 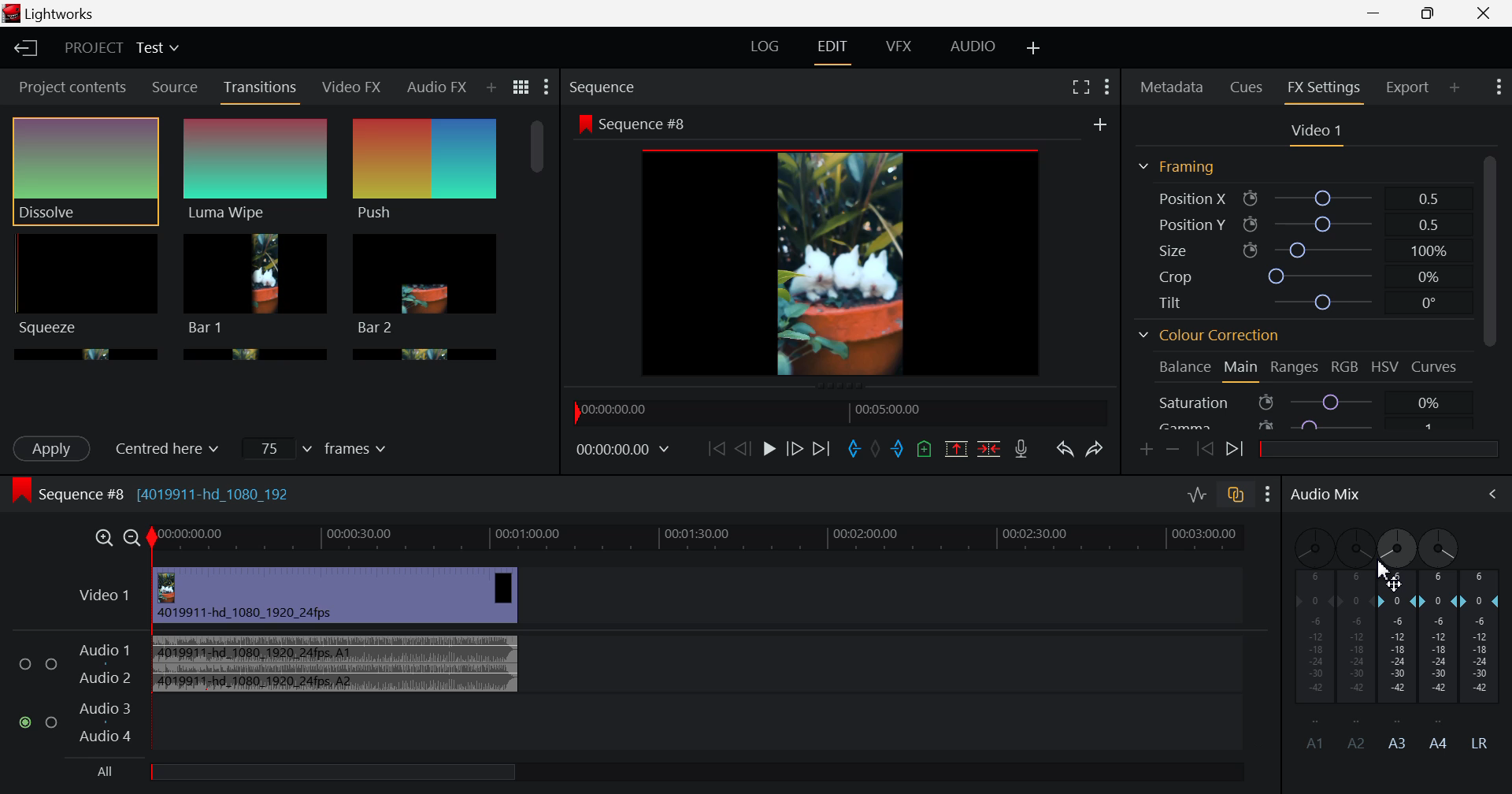 I want to click on VFX Layout, so click(x=899, y=50).